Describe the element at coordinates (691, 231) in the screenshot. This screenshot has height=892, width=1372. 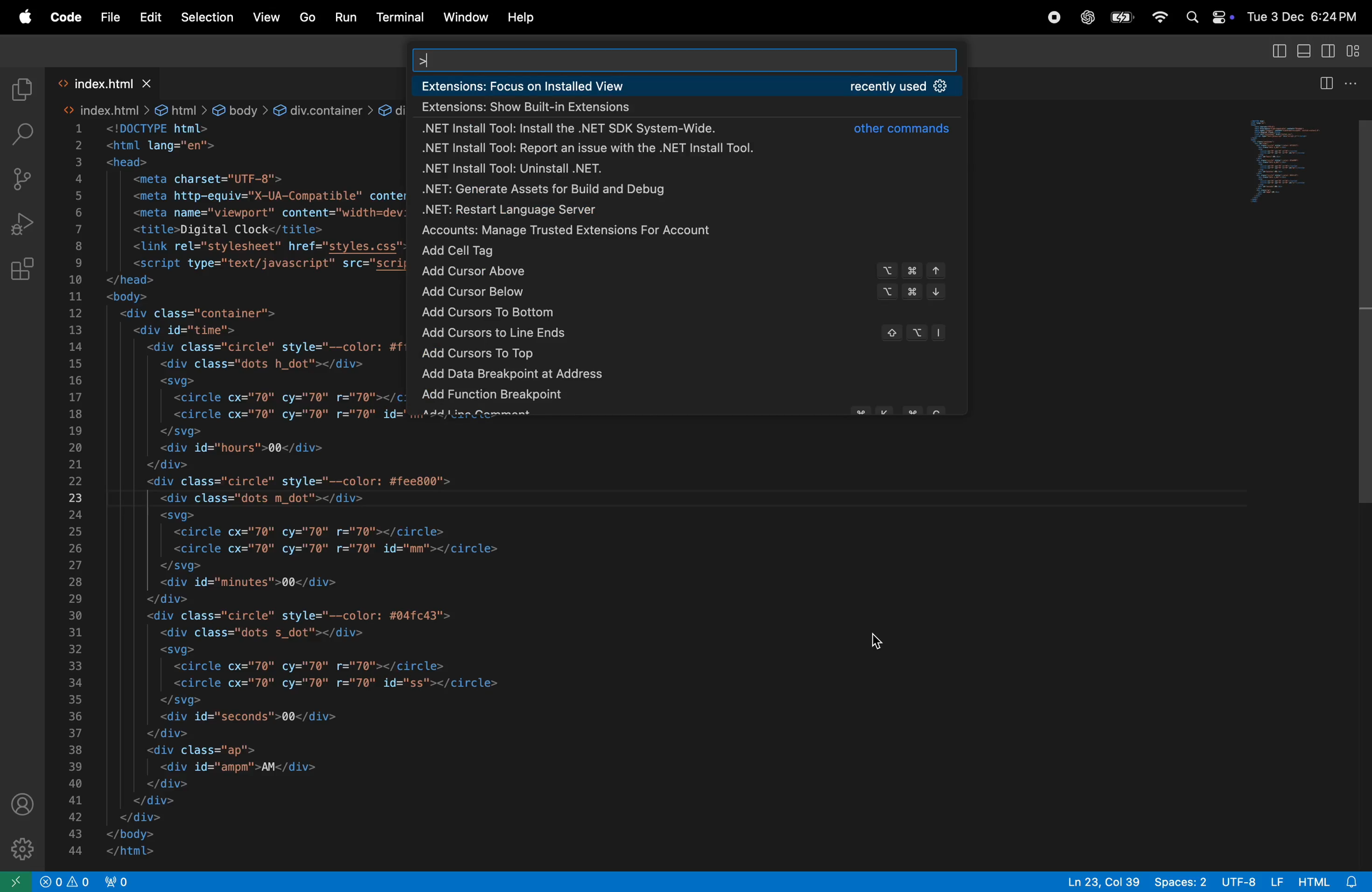
I see `accounts manage trusted extensions for account` at that location.